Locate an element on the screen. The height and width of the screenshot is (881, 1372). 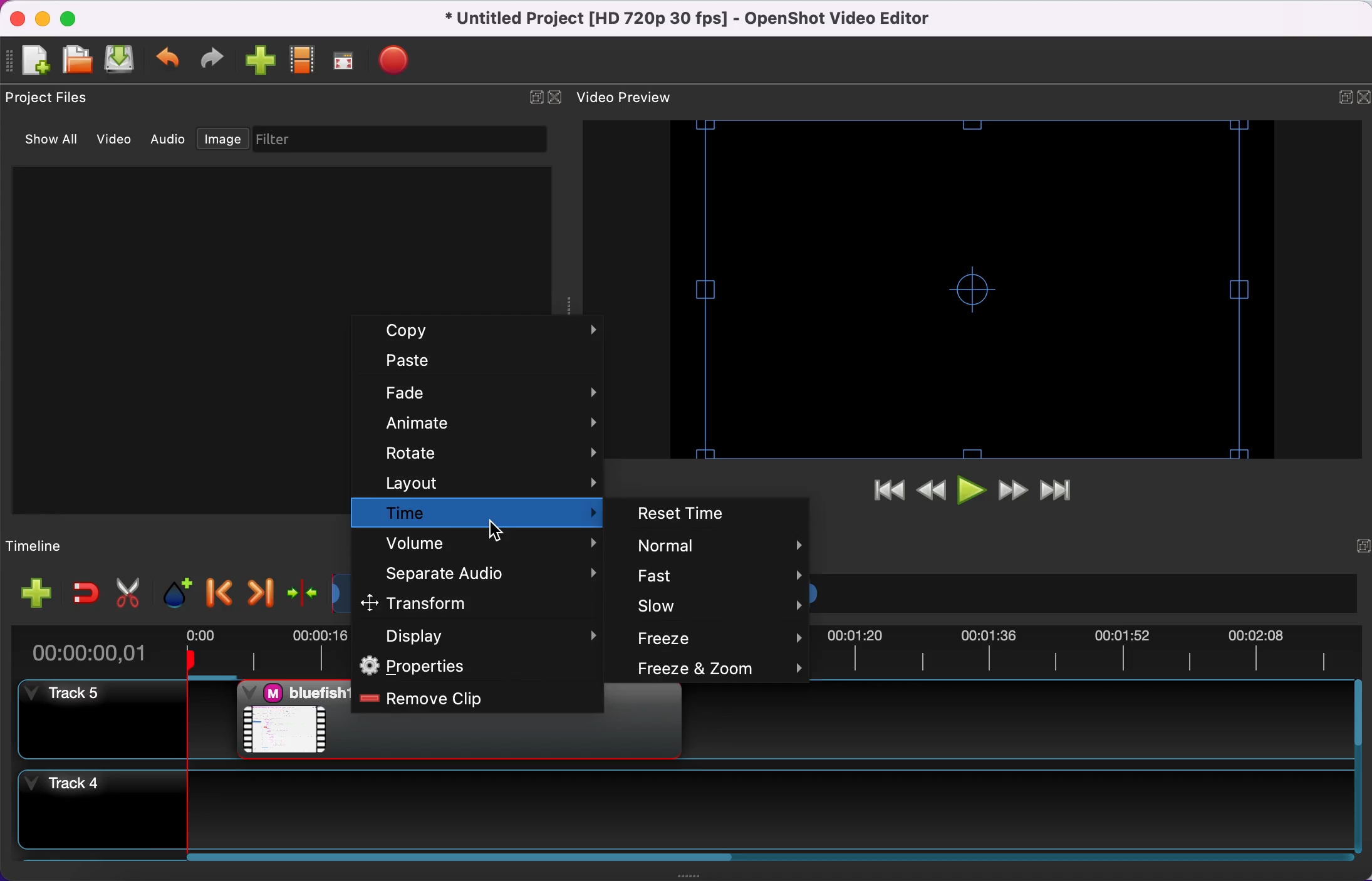
import file is located at coordinates (262, 62).